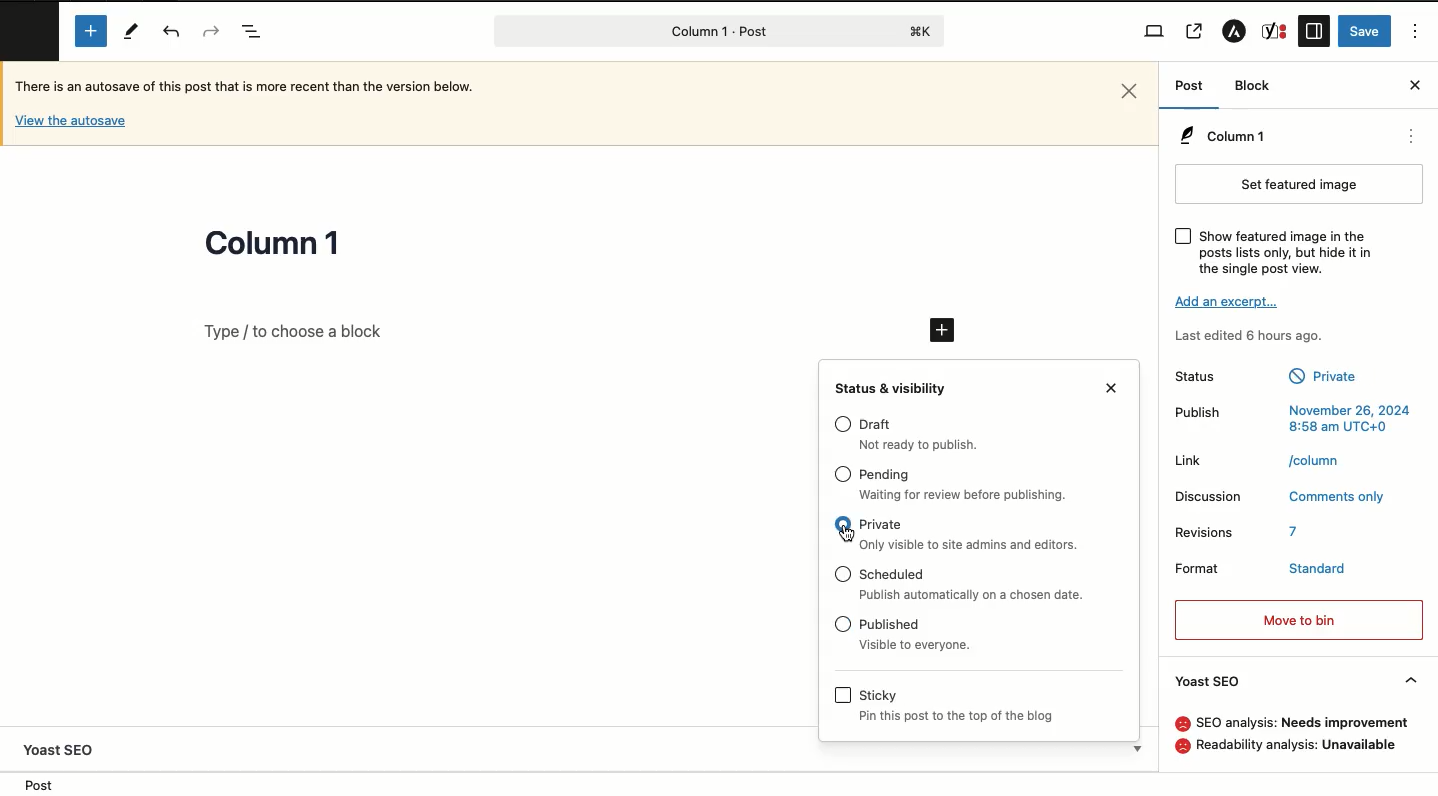  Describe the element at coordinates (885, 475) in the screenshot. I see `Pending` at that location.